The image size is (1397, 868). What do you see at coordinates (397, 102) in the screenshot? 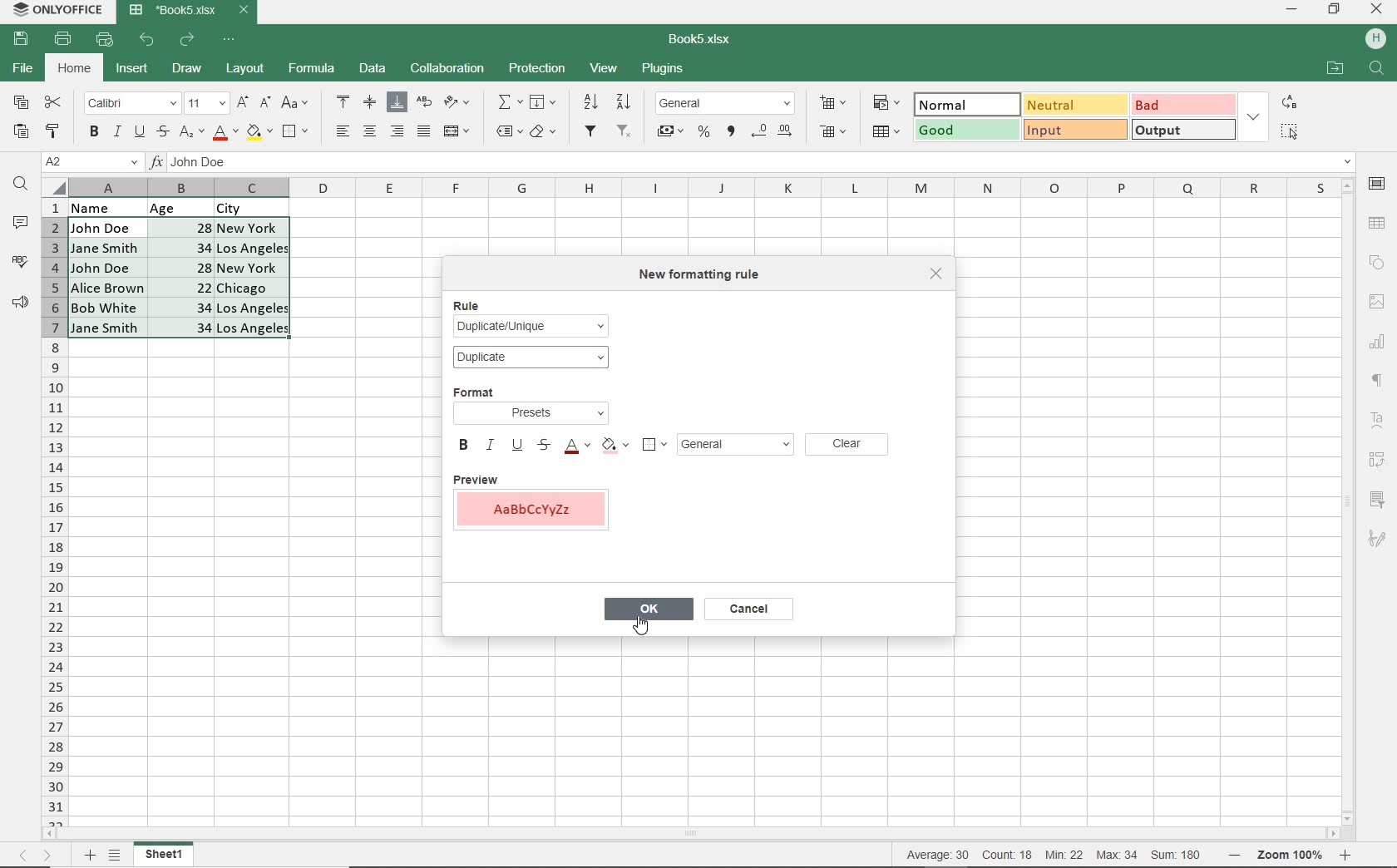
I see `ALIGN BOTTOM` at bounding box center [397, 102].